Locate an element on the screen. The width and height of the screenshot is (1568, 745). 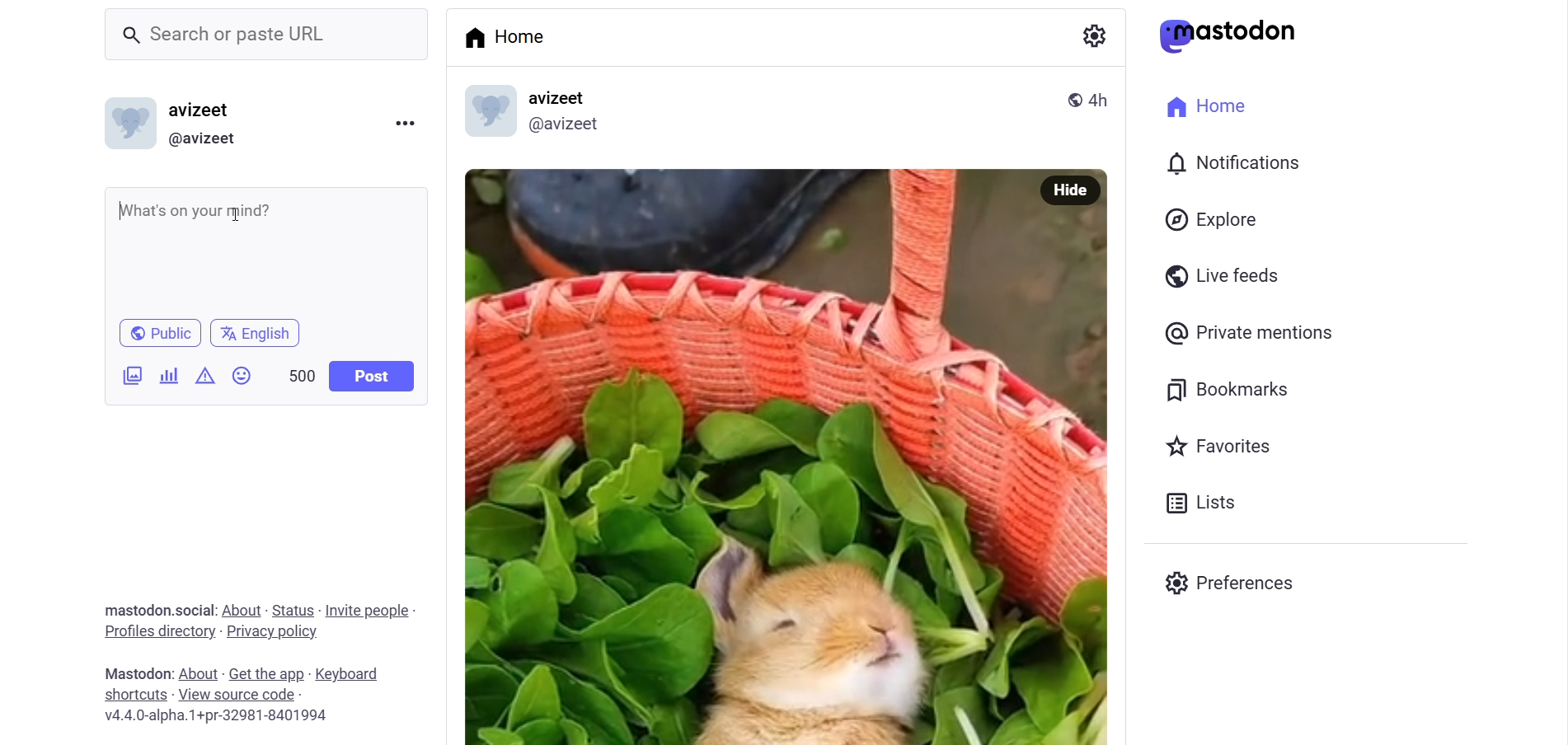
profiles is located at coordinates (149, 635).